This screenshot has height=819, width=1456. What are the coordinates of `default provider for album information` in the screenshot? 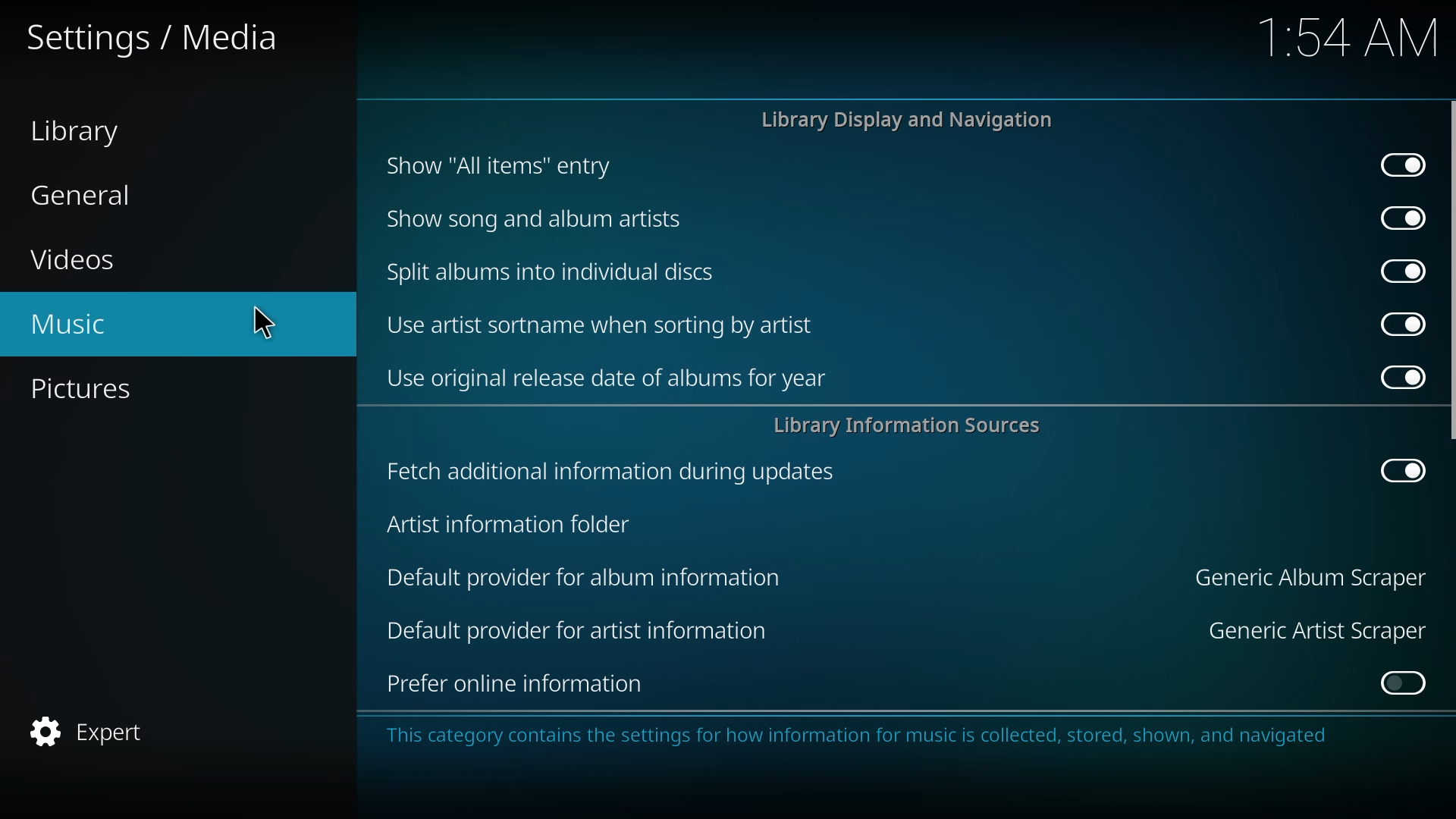 It's located at (585, 579).